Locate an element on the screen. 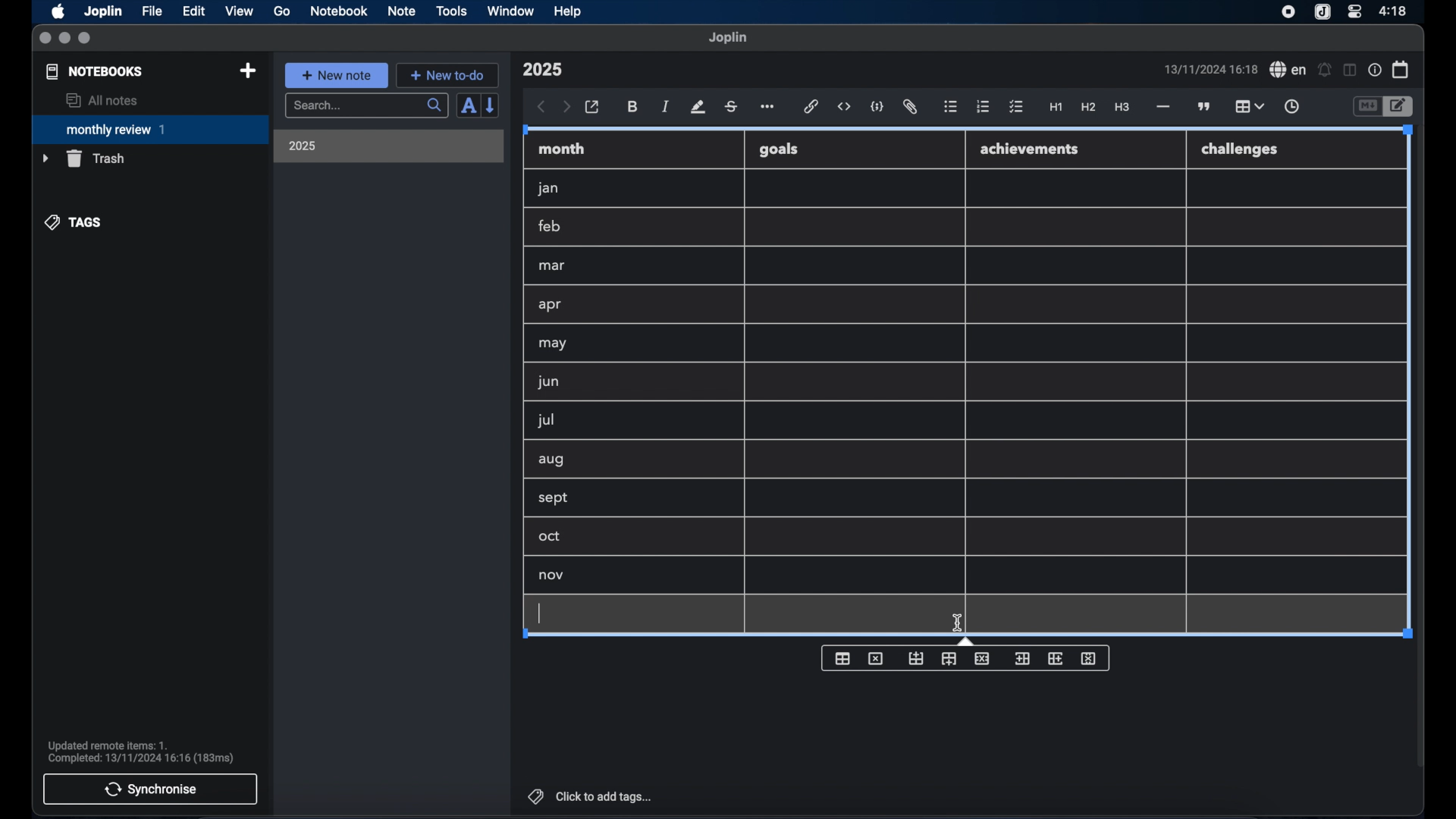 The width and height of the screenshot is (1456, 819). spel check is located at coordinates (1288, 70).